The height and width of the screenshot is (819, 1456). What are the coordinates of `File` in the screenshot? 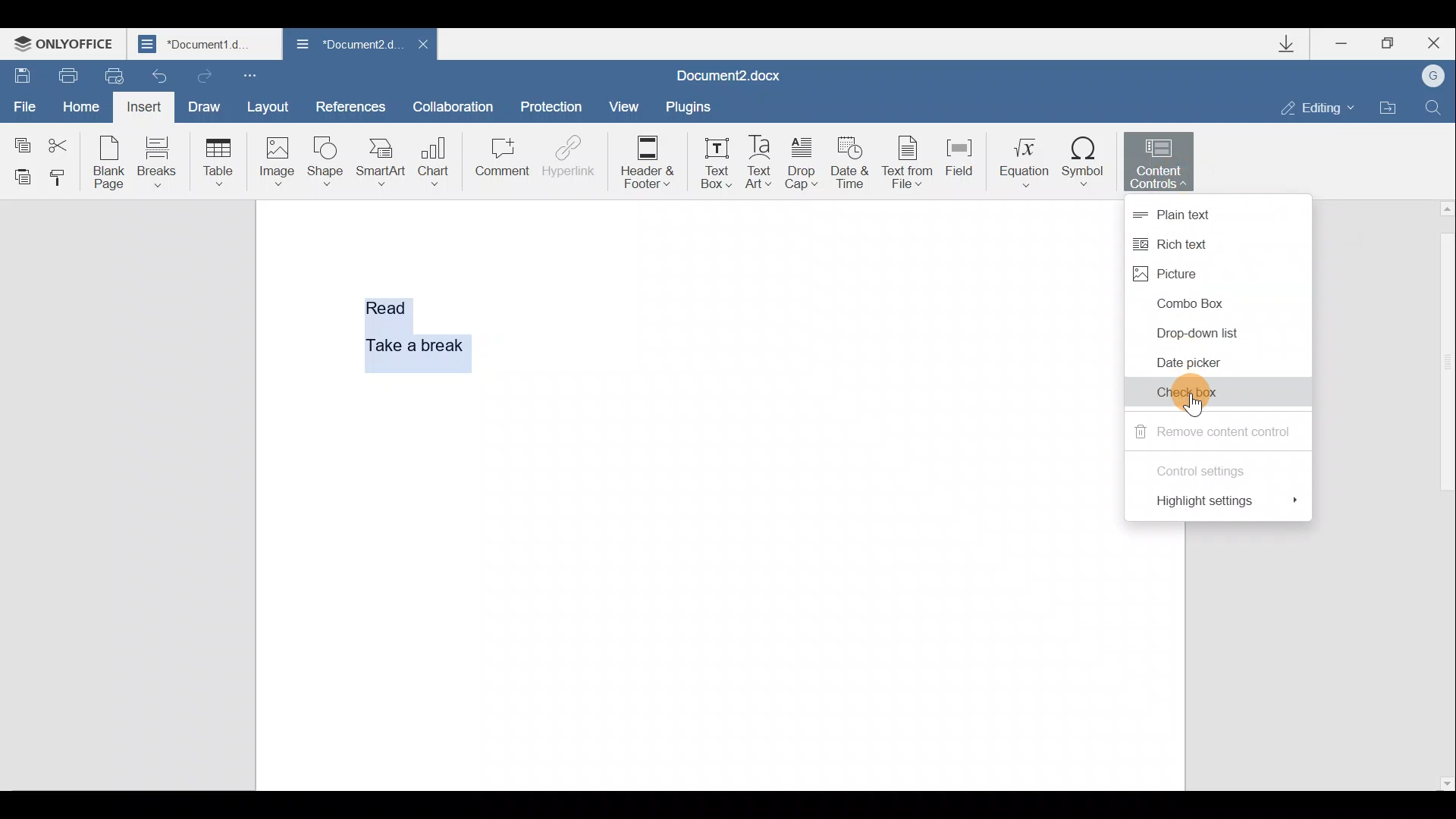 It's located at (23, 101).